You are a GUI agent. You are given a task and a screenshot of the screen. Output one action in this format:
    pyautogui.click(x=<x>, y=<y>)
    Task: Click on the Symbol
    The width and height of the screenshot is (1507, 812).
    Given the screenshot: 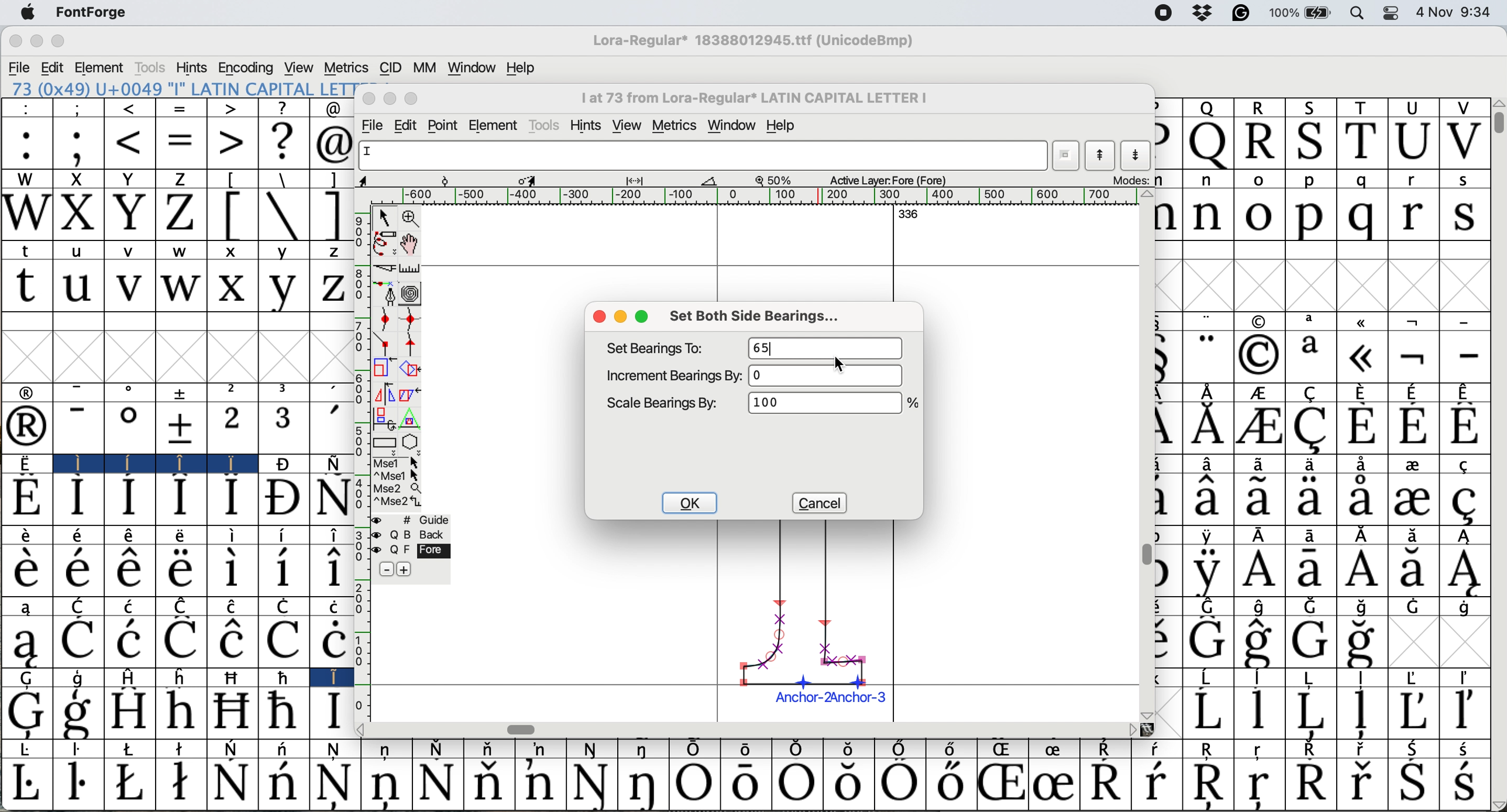 What is the action you would take?
    pyautogui.click(x=1209, y=535)
    